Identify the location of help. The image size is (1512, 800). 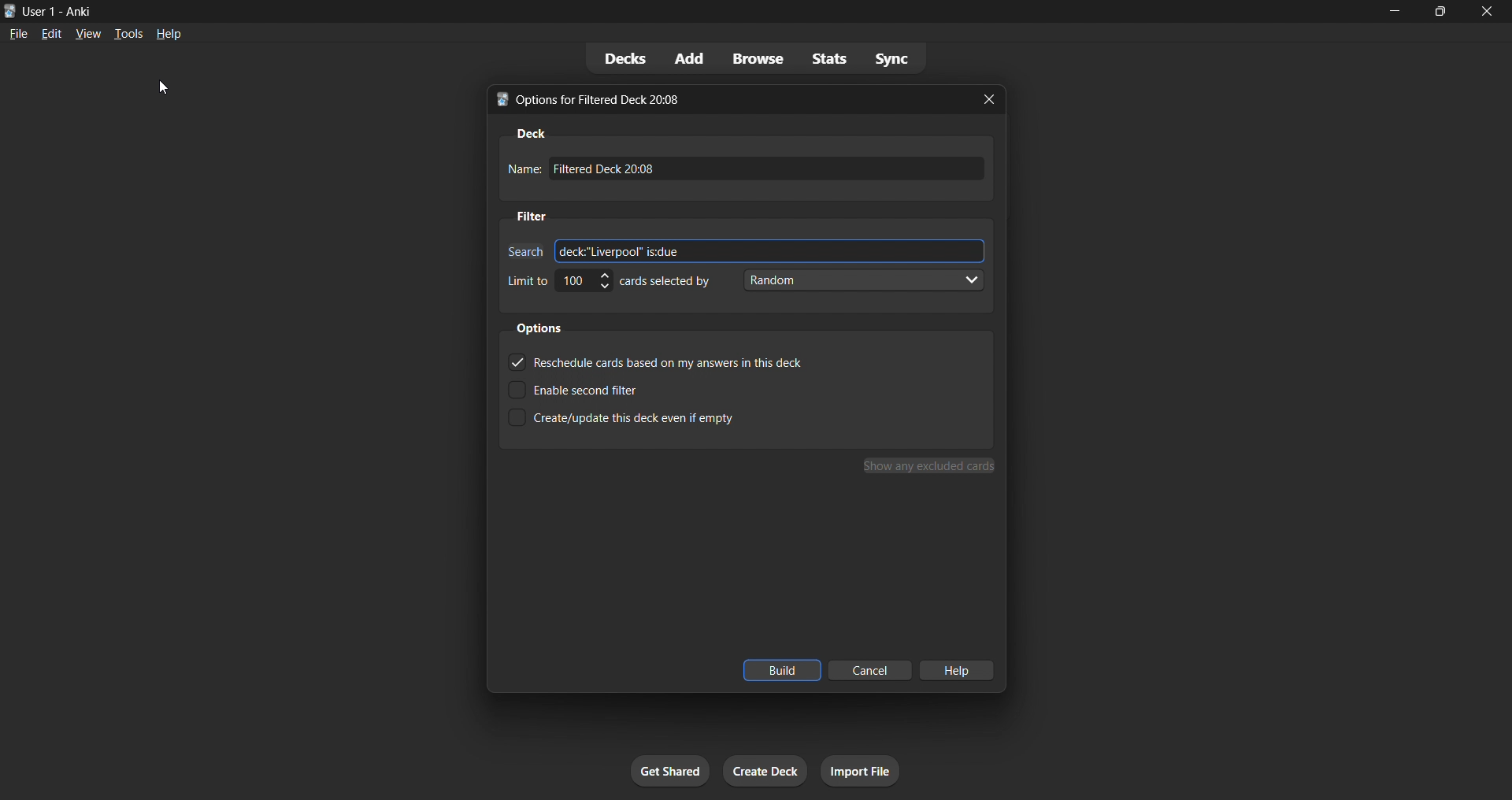
(962, 670).